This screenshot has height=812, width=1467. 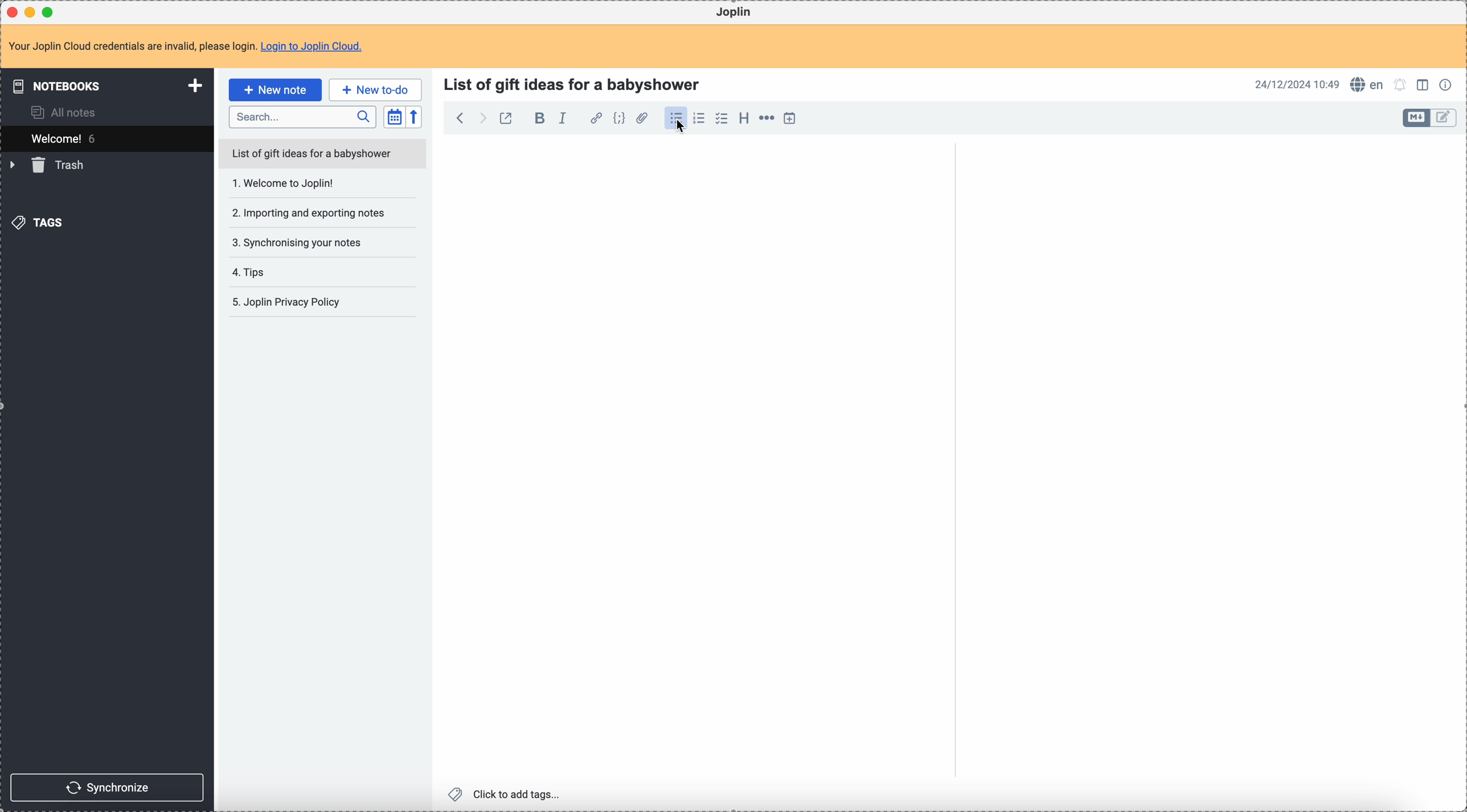 I want to click on search bar, so click(x=302, y=117).